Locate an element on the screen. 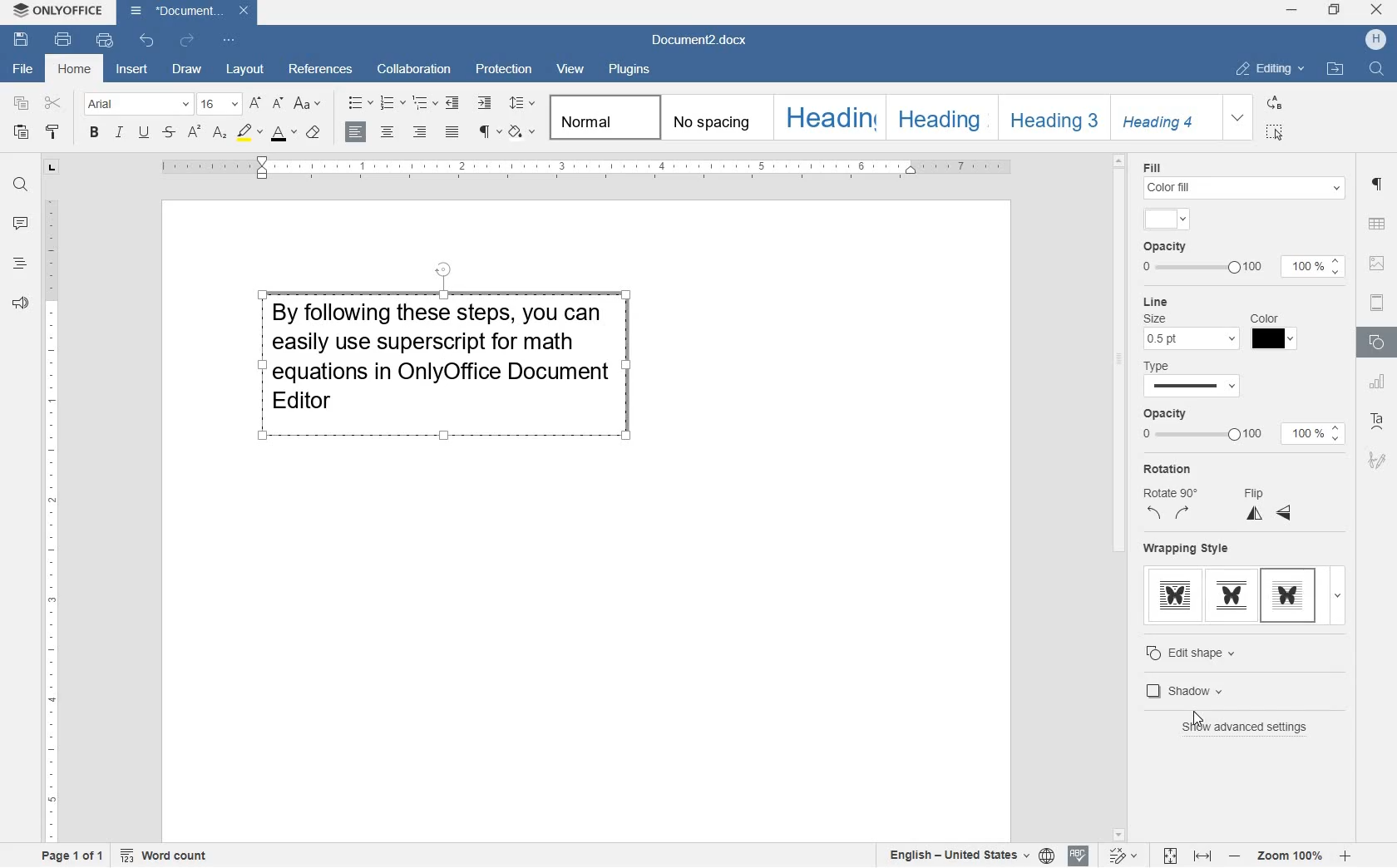 The width and height of the screenshot is (1397, 868). home is located at coordinates (72, 68).